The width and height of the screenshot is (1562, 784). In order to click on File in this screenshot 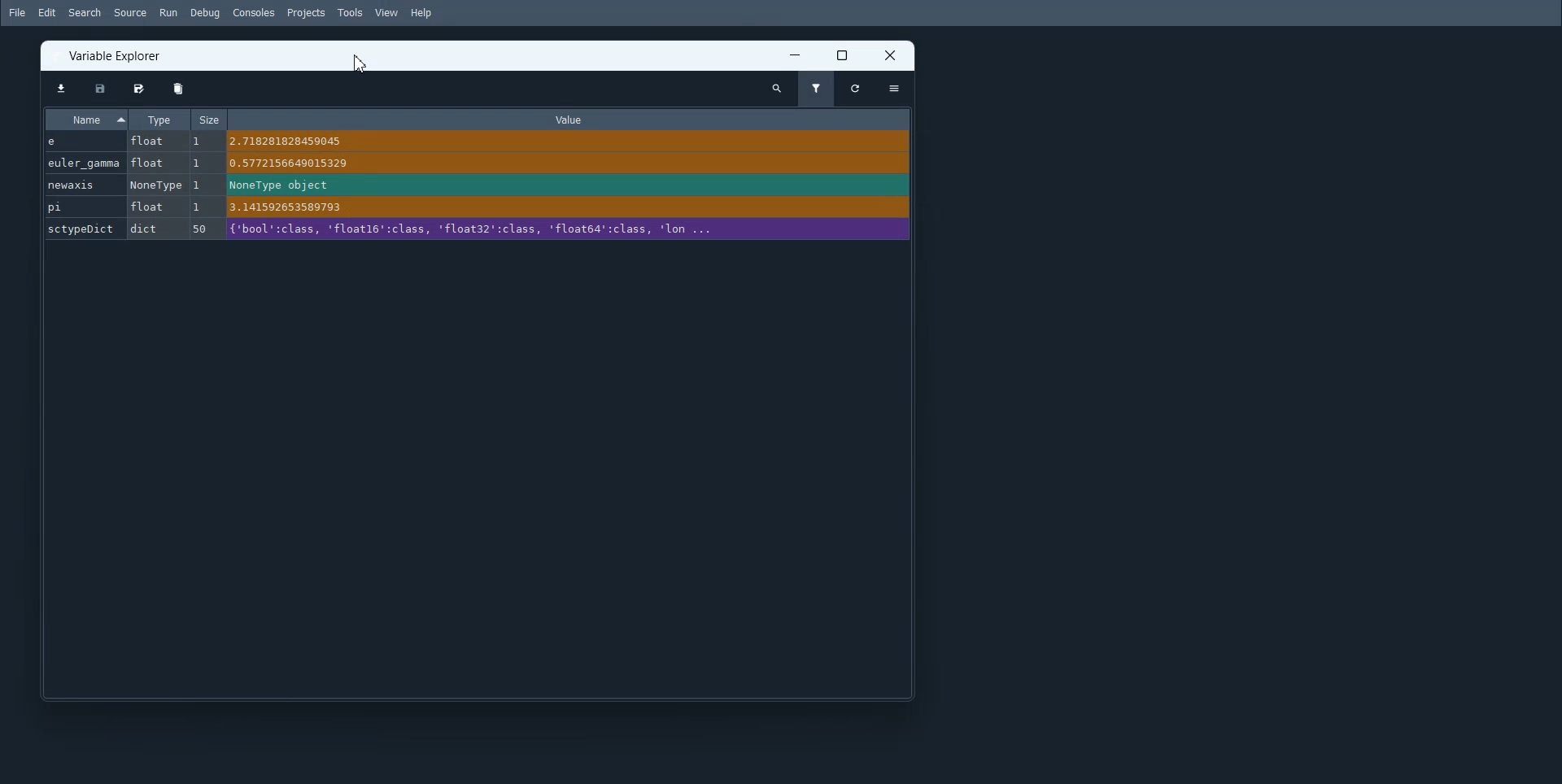, I will do `click(16, 12)`.